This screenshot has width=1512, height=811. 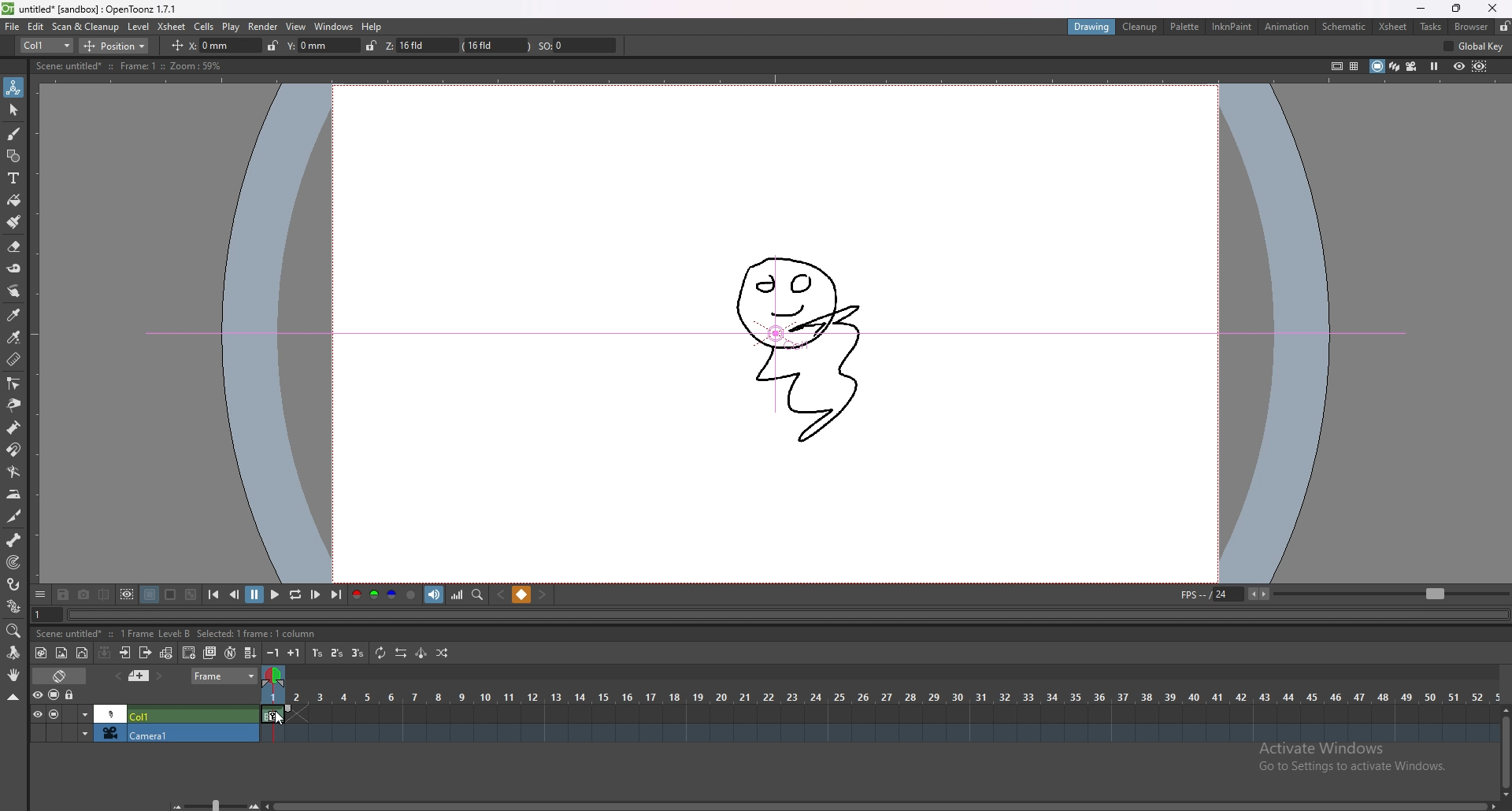 What do you see at coordinates (13, 337) in the screenshot?
I see `rgb picker` at bounding box center [13, 337].